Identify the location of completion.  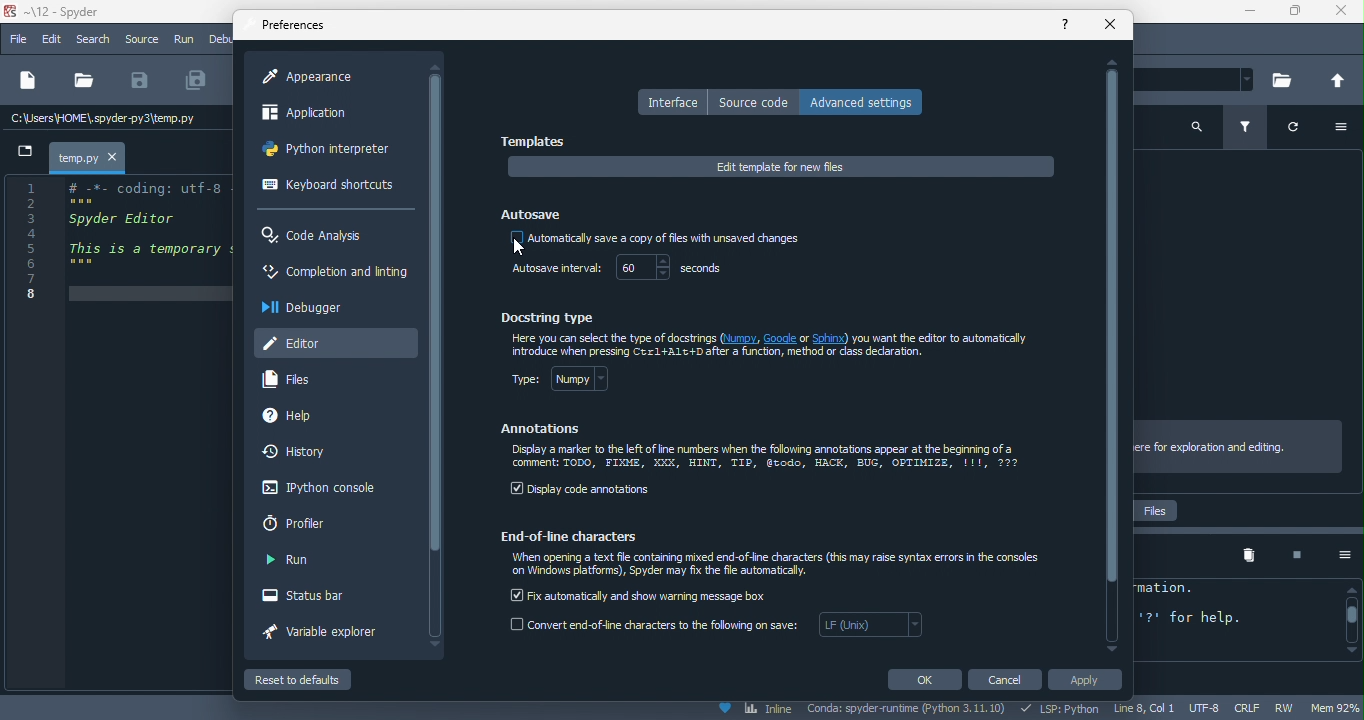
(334, 275).